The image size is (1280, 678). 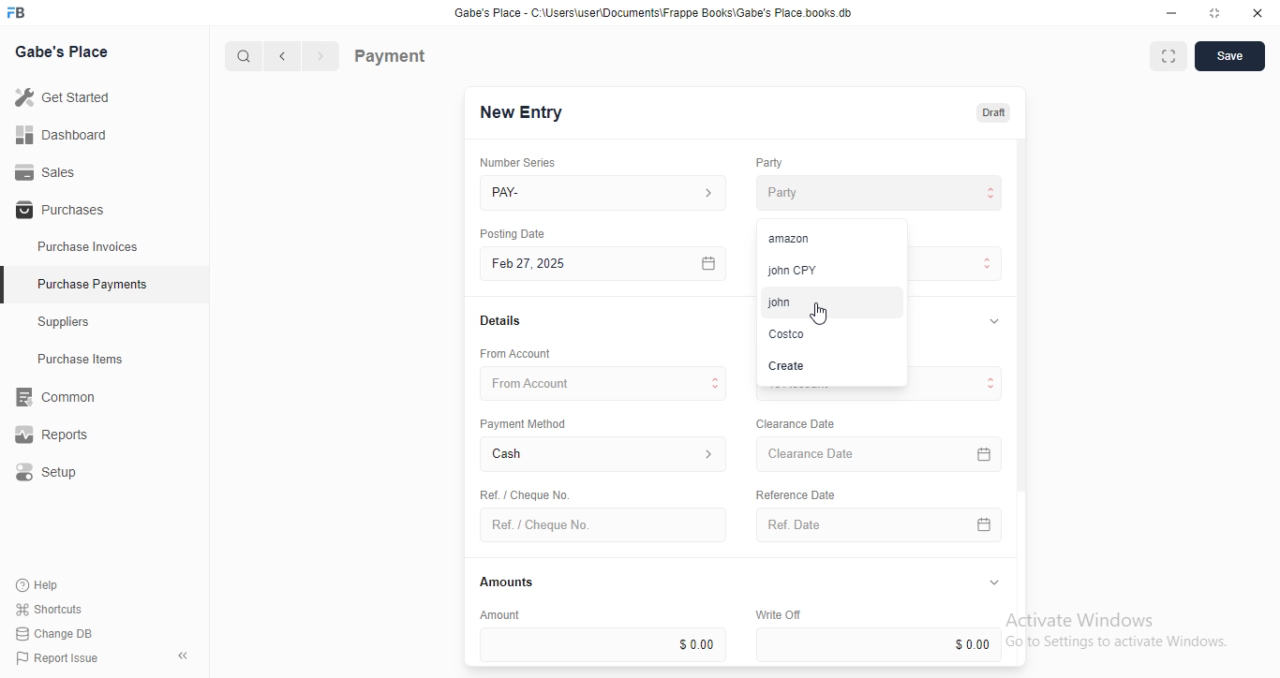 What do you see at coordinates (794, 493) in the screenshot?
I see `Reference Date` at bounding box center [794, 493].